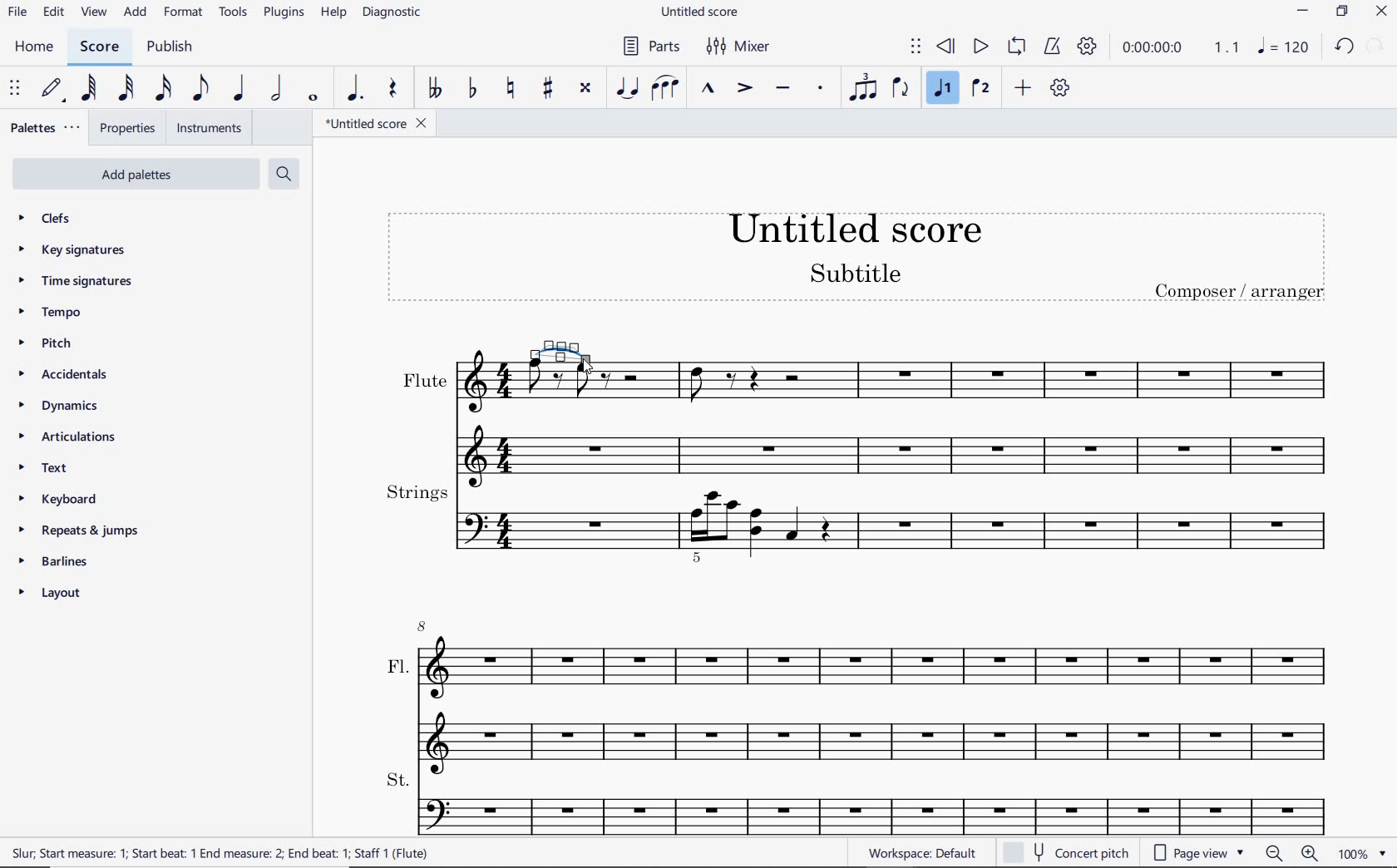 The height and width of the screenshot is (868, 1397). What do you see at coordinates (782, 89) in the screenshot?
I see `TENUTO` at bounding box center [782, 89].